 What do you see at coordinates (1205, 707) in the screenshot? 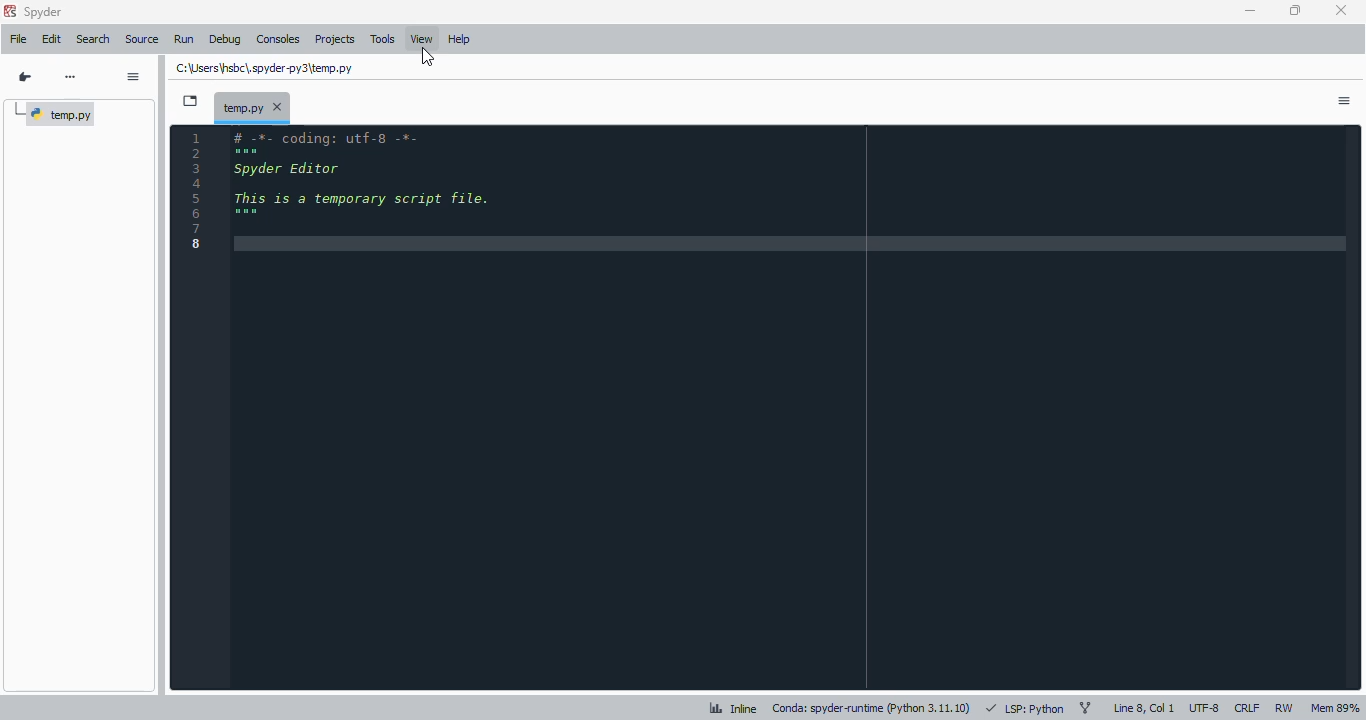
I see `UTF-8` at bounding box center [1205, 707].